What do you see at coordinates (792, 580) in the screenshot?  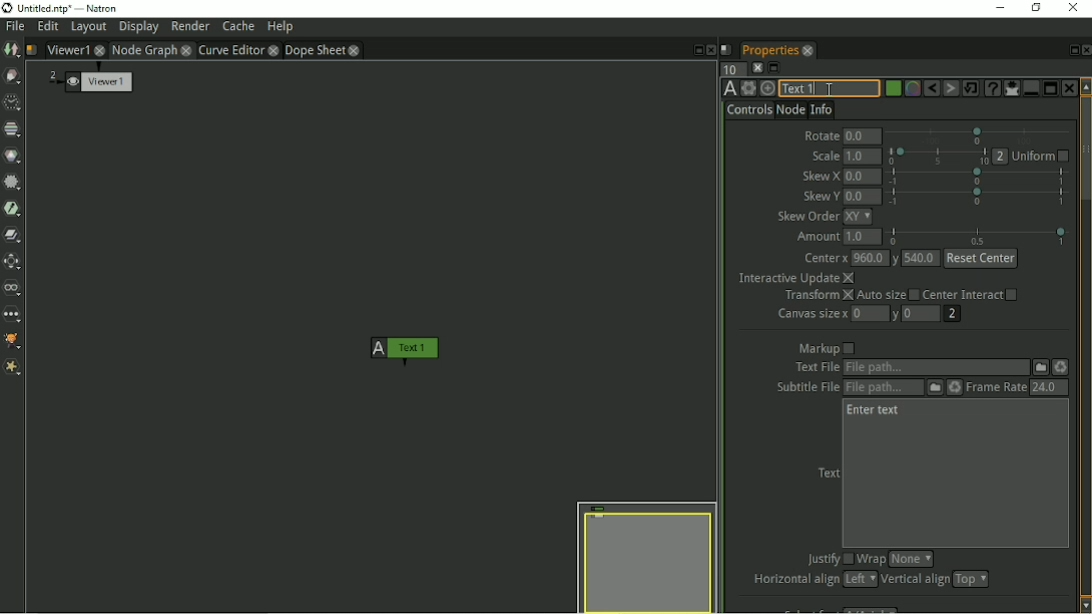 I see `Horizontal align` at bounding box center [792, 580].